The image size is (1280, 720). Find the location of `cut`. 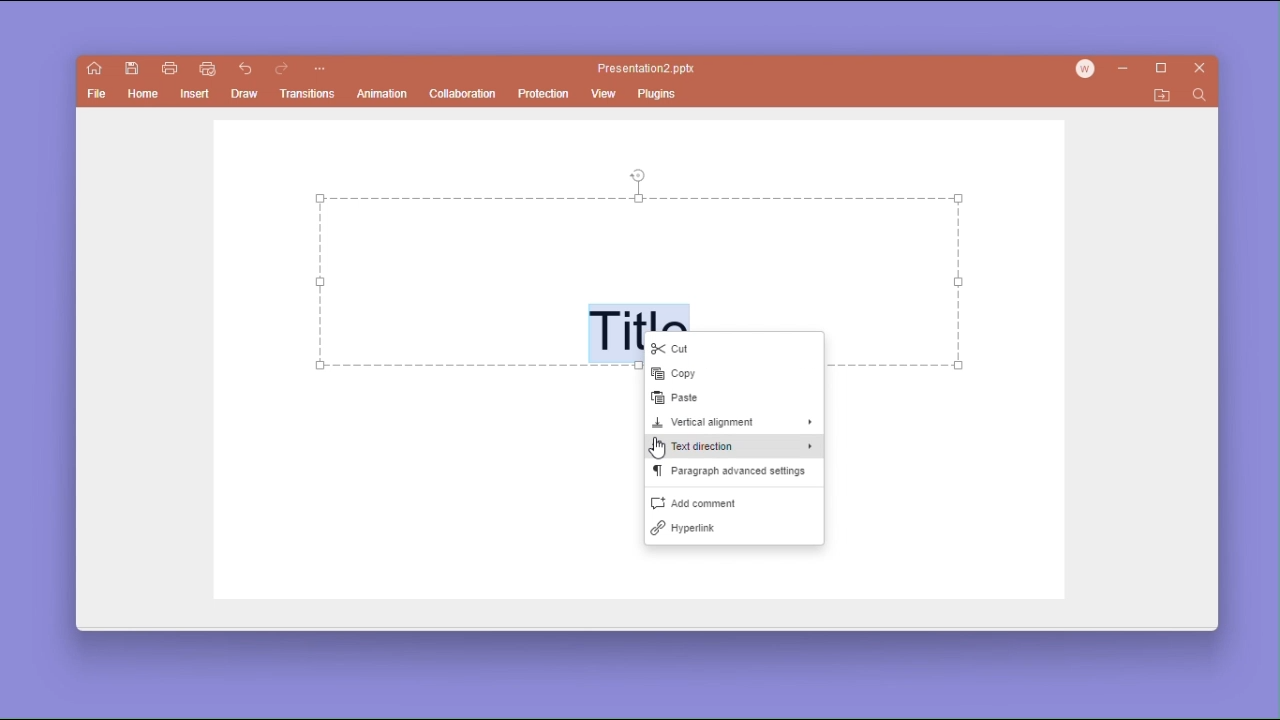

cut is located at coordinates (736, 350).